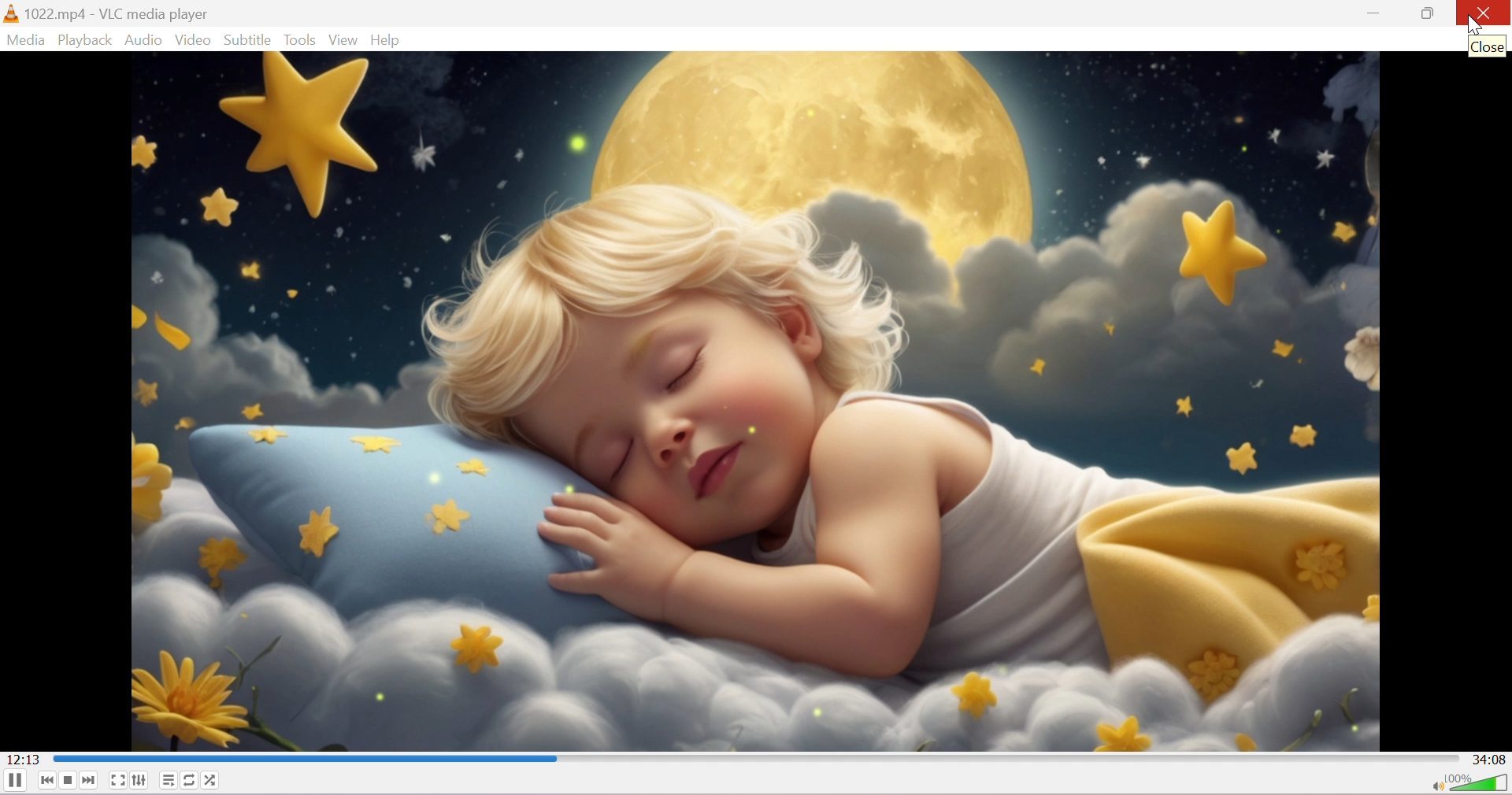 The image size is (1512, 795). I want to click on Stop playback, so click(65, 782).